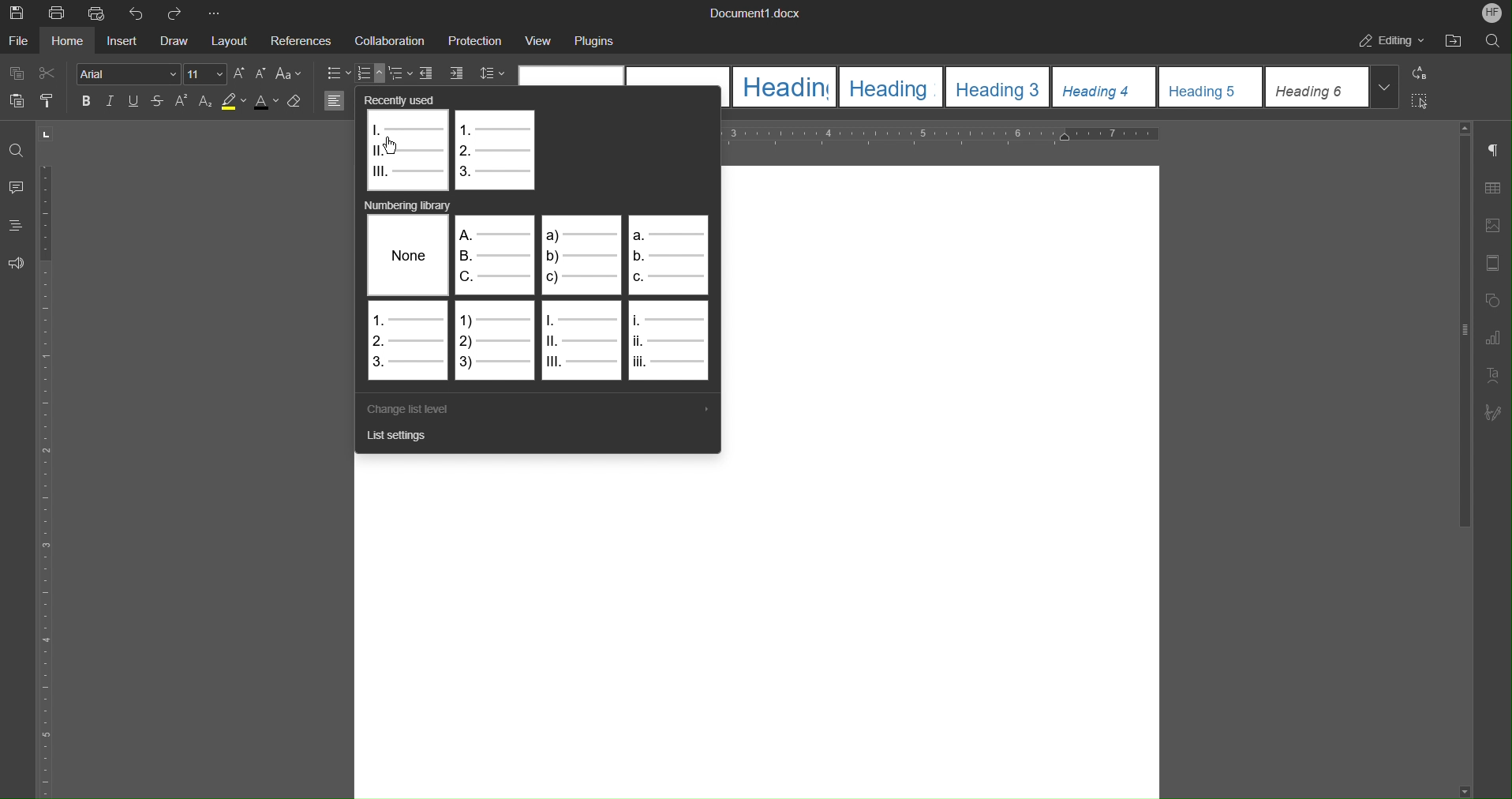  What do you see at coordinates (1492, 413) in the screenshot?
I see `Signature` at bounding box center [1492, 413].